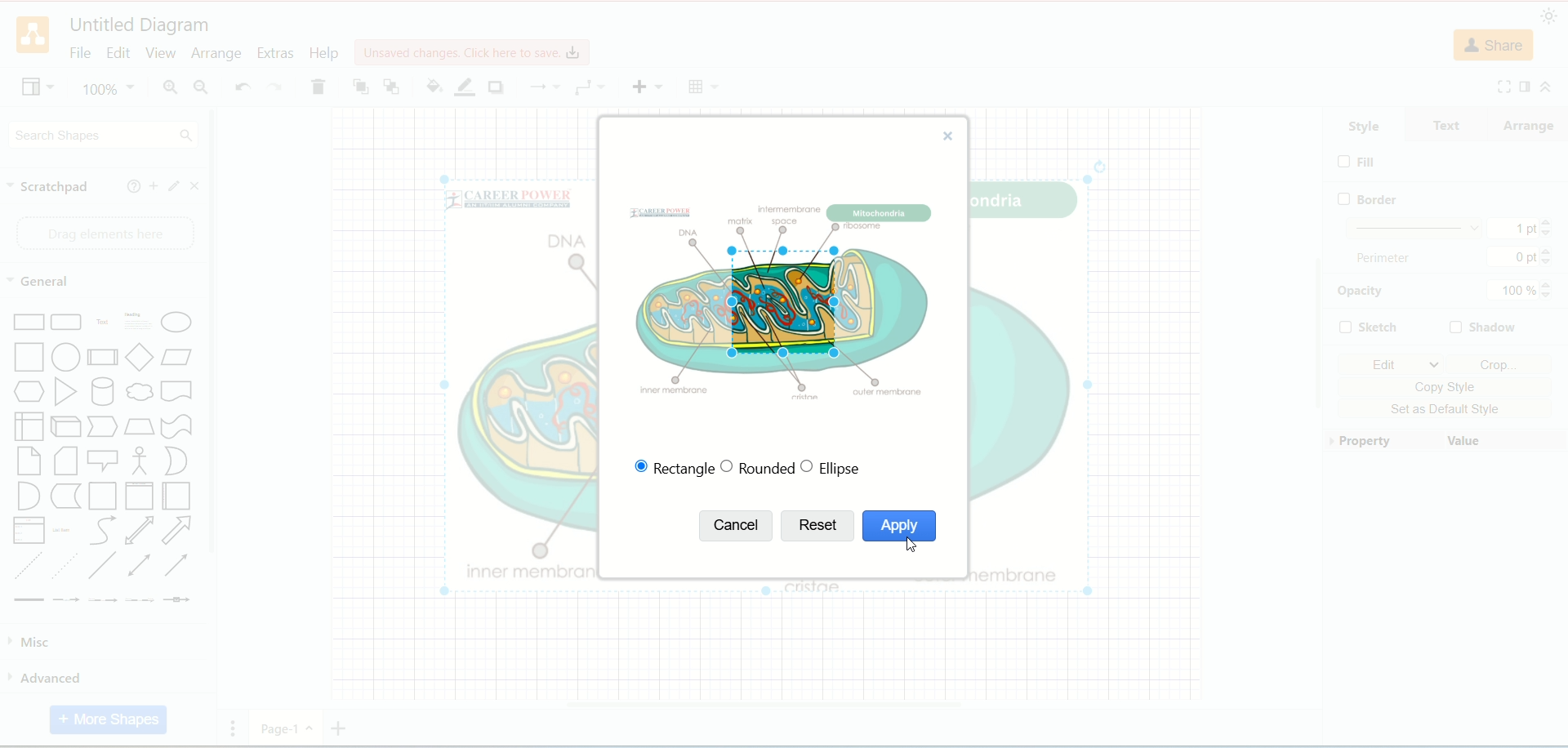 Image resolution: width=1568 pixels, height=748 pixels. Describe the element at coordinates (470, 51) in the screenshot. I see `Unsaved changes. Click here to save.` at that location.